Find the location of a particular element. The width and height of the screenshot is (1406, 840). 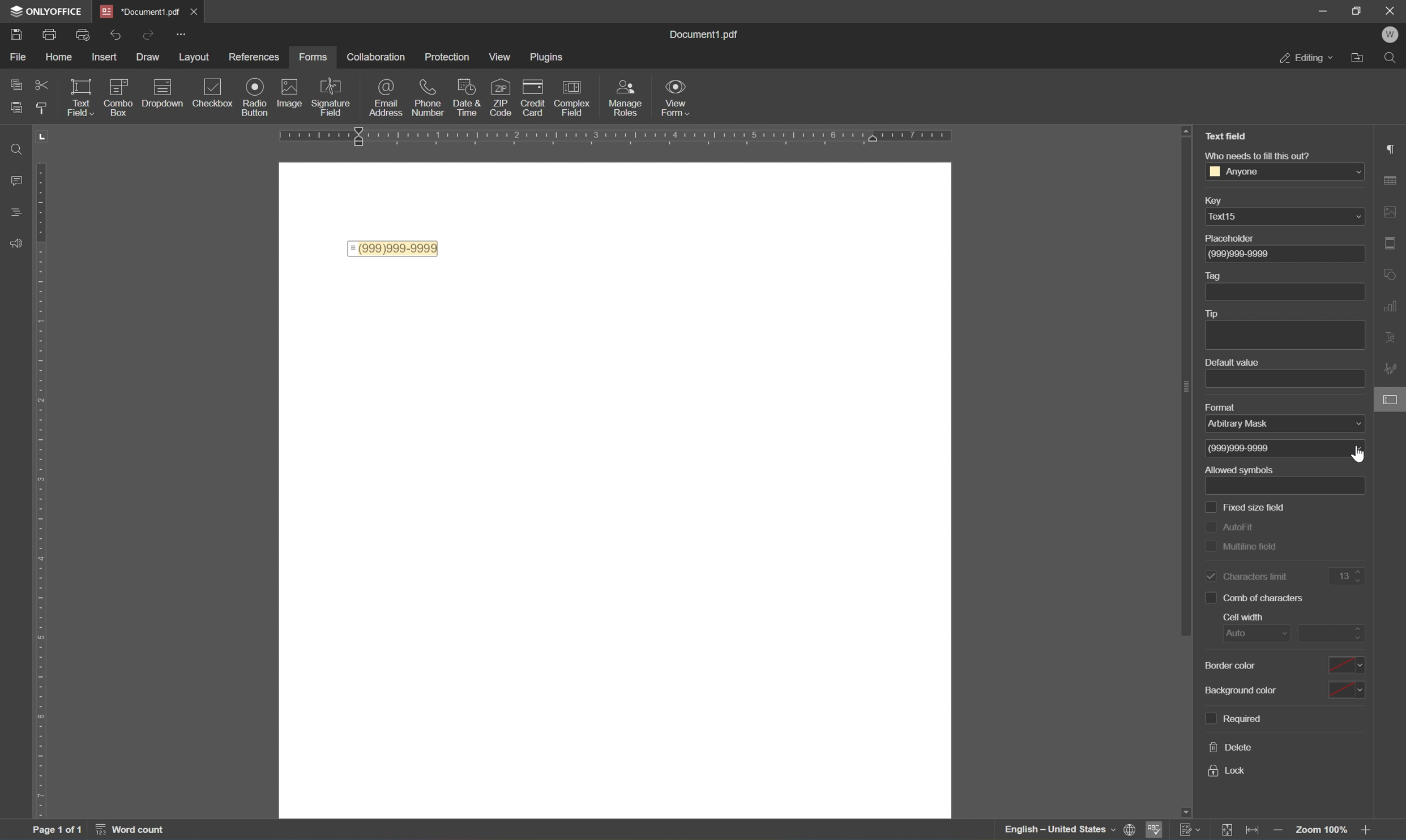

undo is located at coordinates (115, 35).